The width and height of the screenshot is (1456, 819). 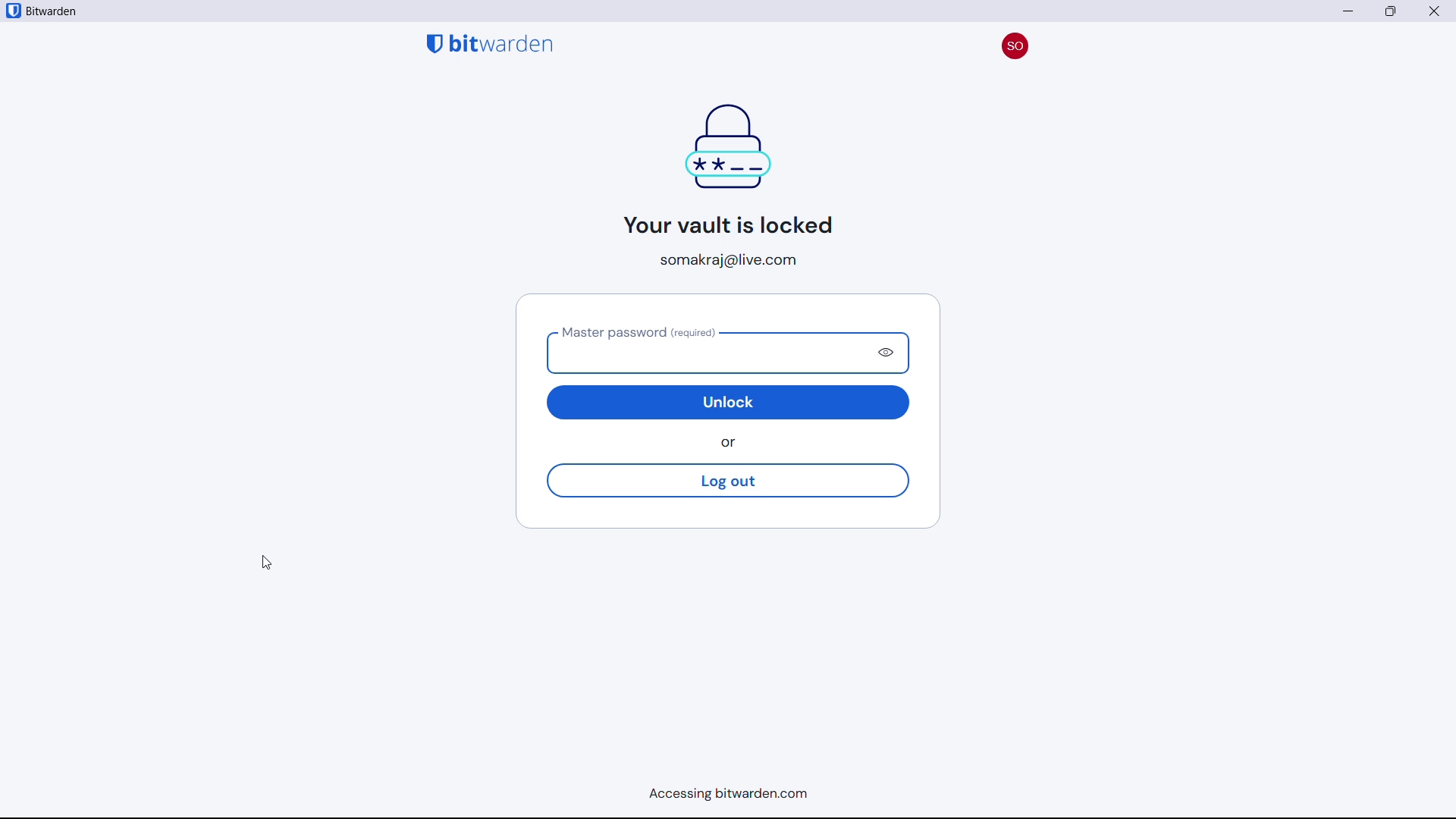 I want to click on Accessing bitwarden.com, so click(x=722, y=796).